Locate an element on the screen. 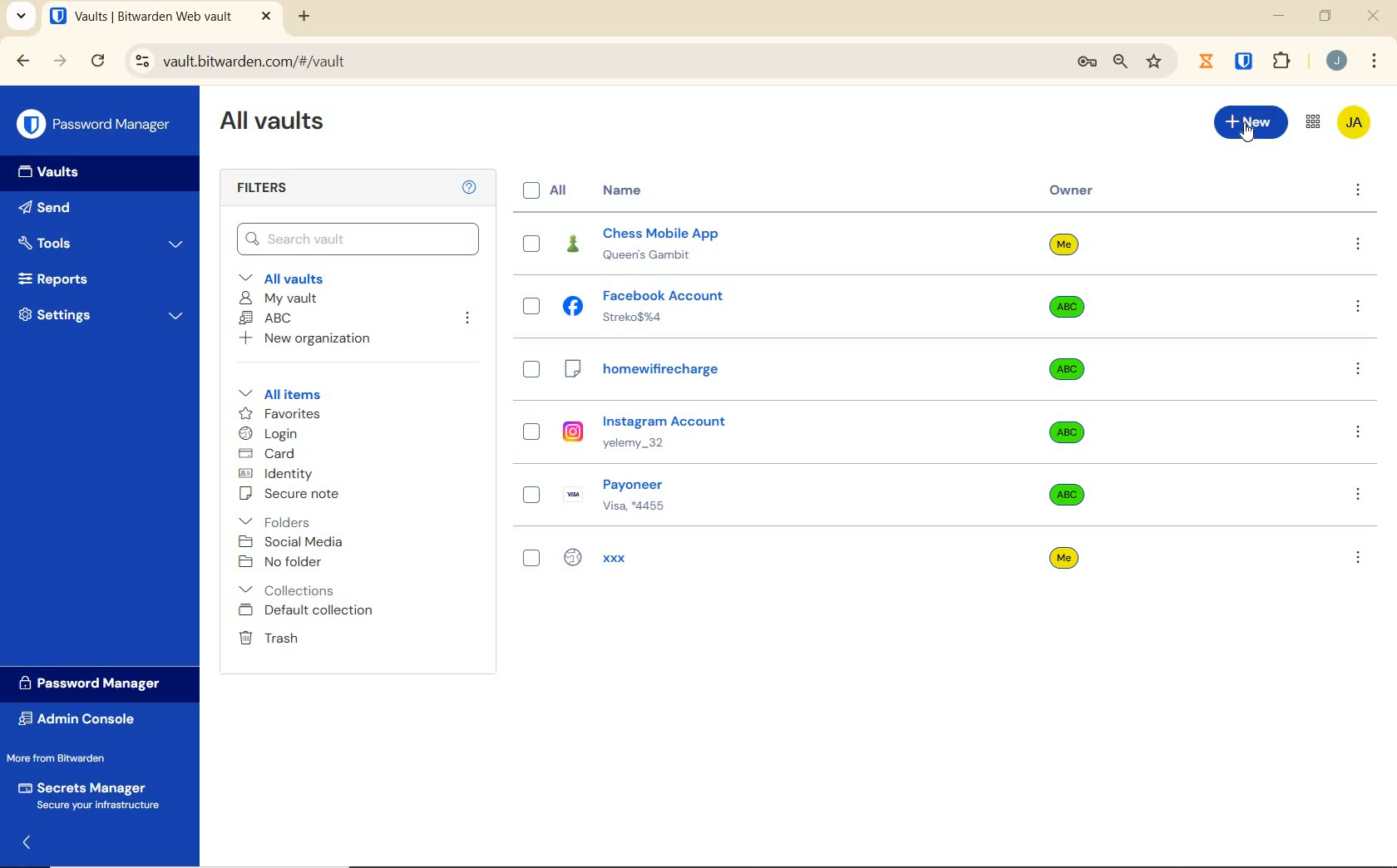 This screenshot has height=868, width=1397. All is located at coordinates (549, 192).